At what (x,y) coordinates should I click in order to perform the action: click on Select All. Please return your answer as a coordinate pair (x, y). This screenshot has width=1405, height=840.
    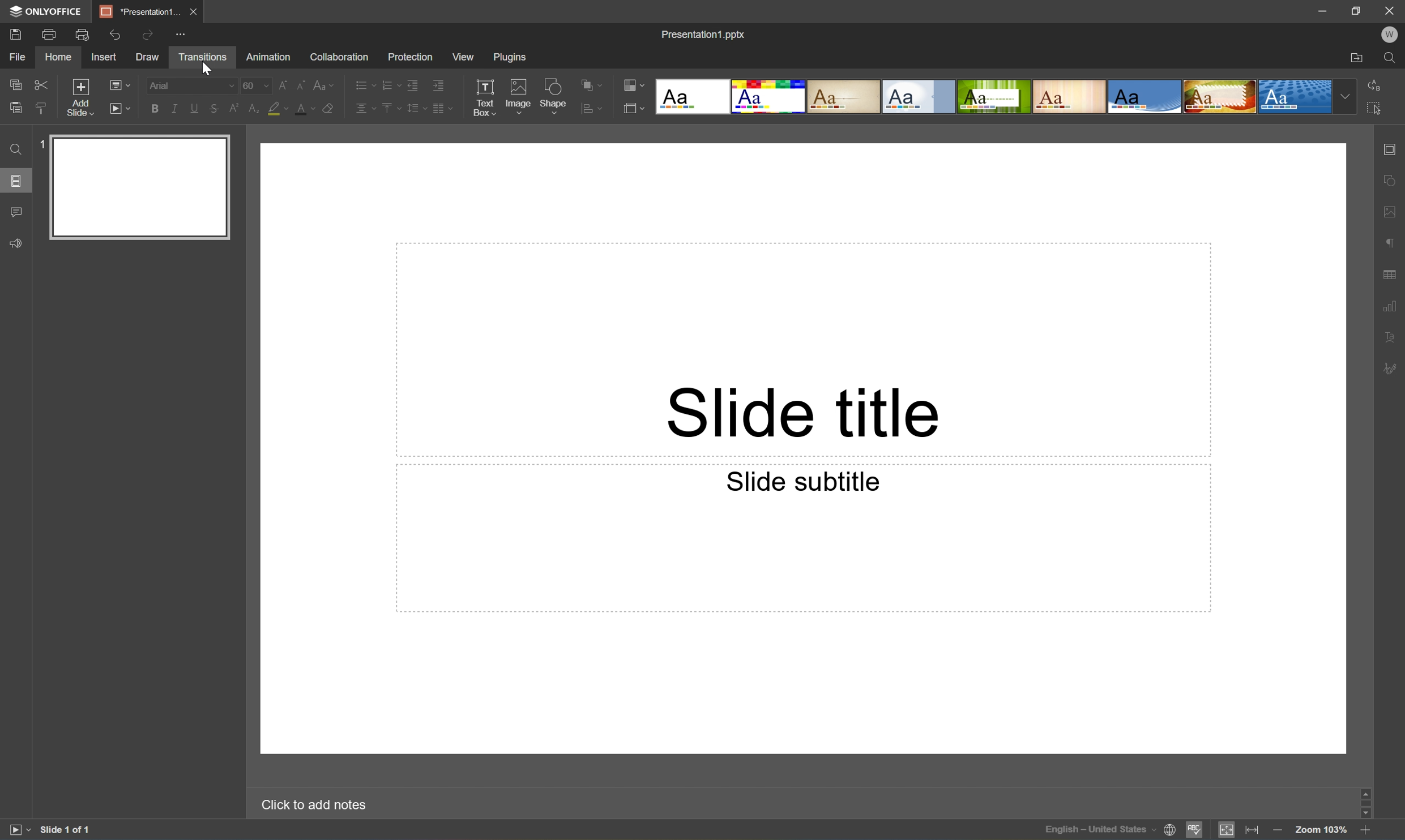
    Looking at the image, I should click on (1377, 109).